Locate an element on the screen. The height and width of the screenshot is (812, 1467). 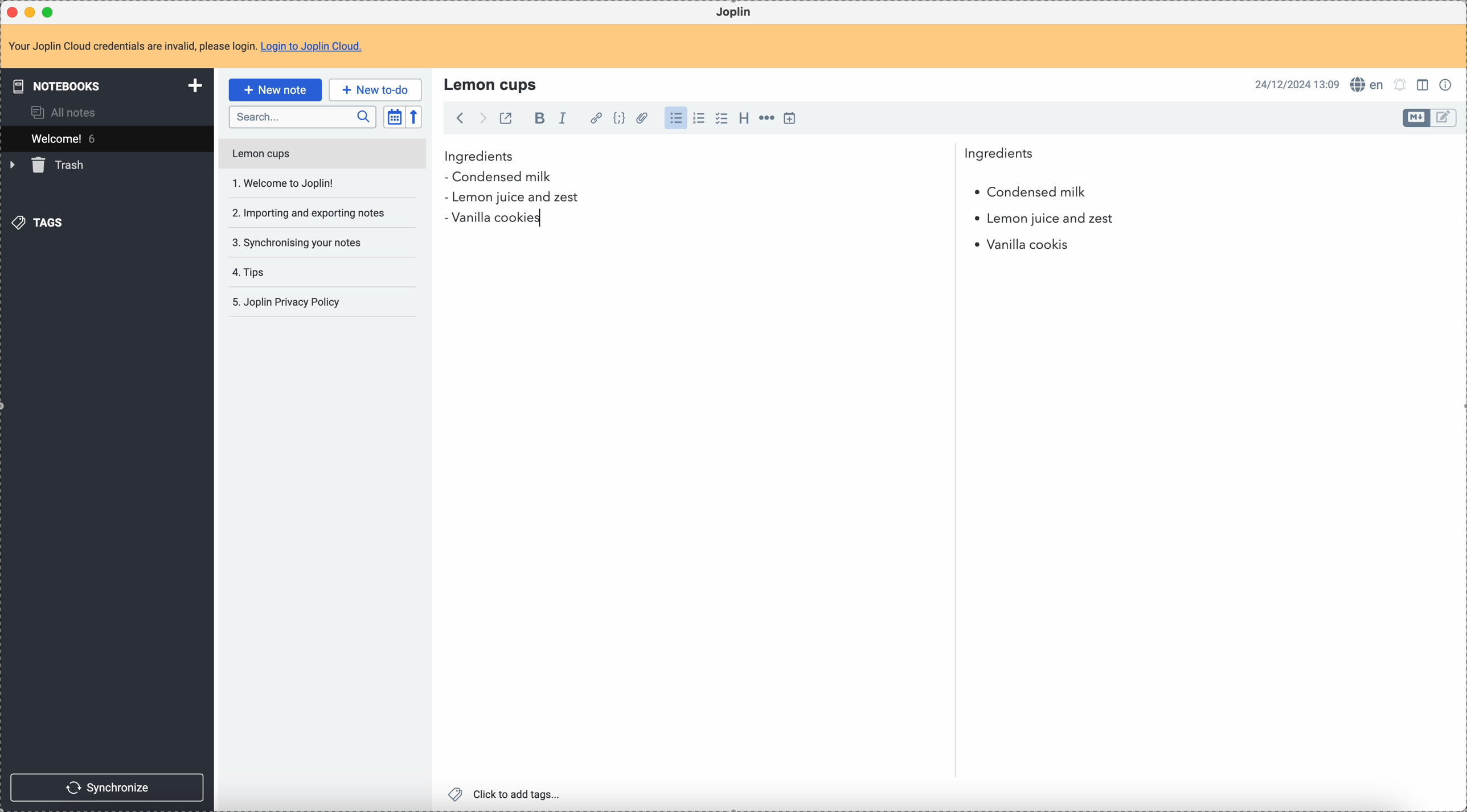
welcome is located at coordinates (106, 138).